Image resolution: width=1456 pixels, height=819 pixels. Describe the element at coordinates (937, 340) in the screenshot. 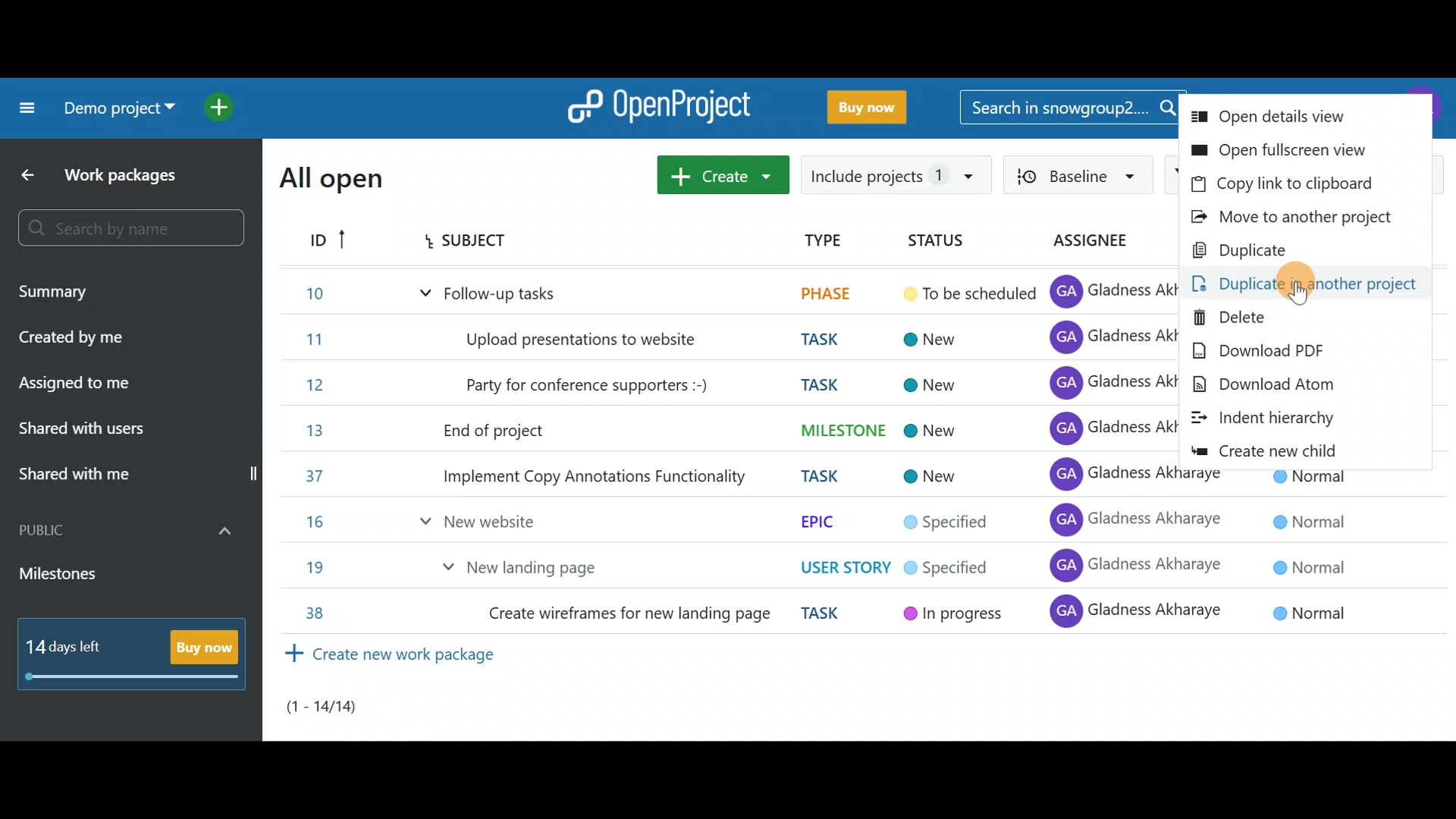

I see `New` at that location.